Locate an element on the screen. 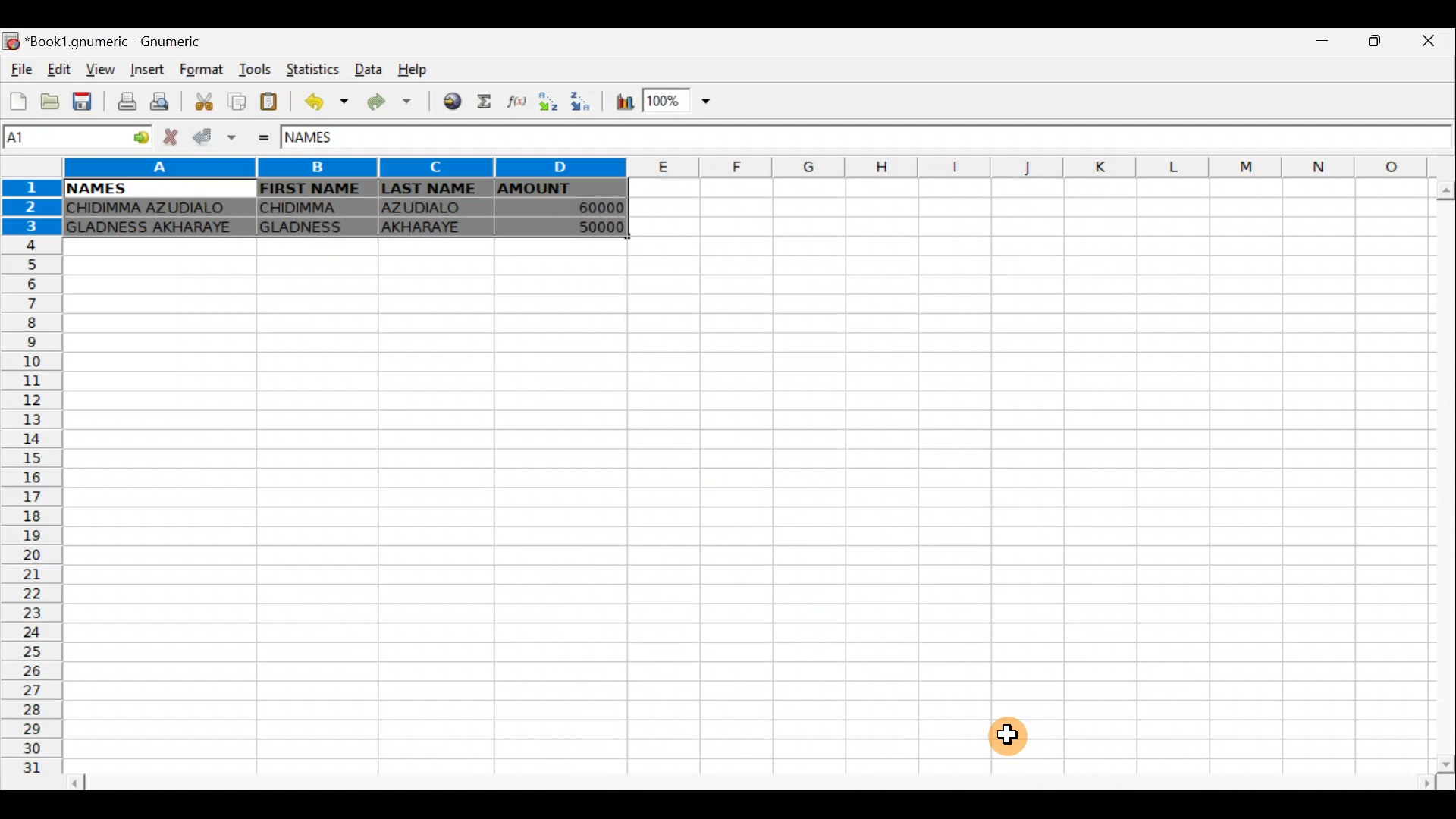 This screenshot has height=819, width=1456. NAMES is located at coordinates (95, 189).